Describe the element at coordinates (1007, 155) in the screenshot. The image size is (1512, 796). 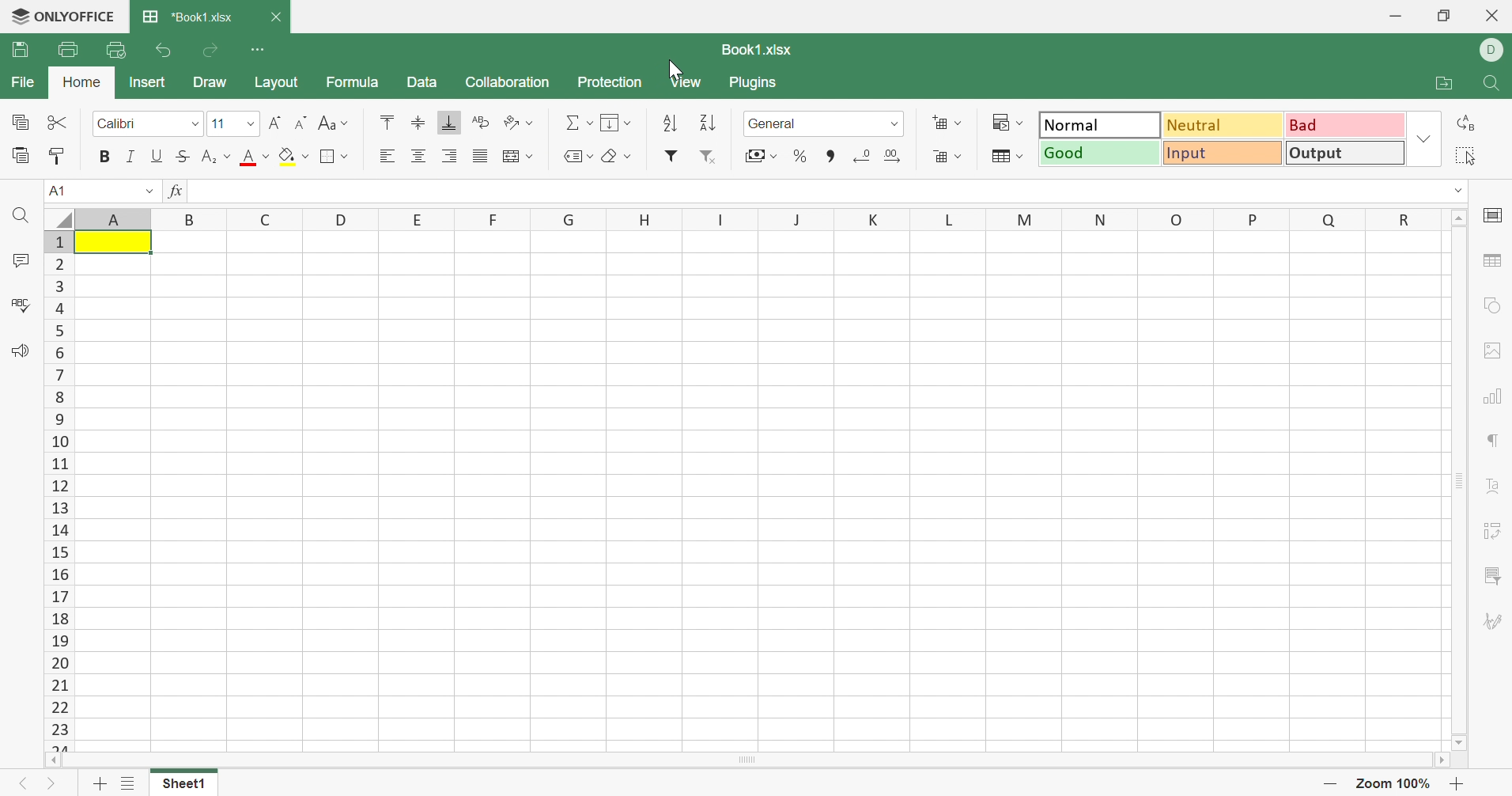
I see `Format table as template` at that location.